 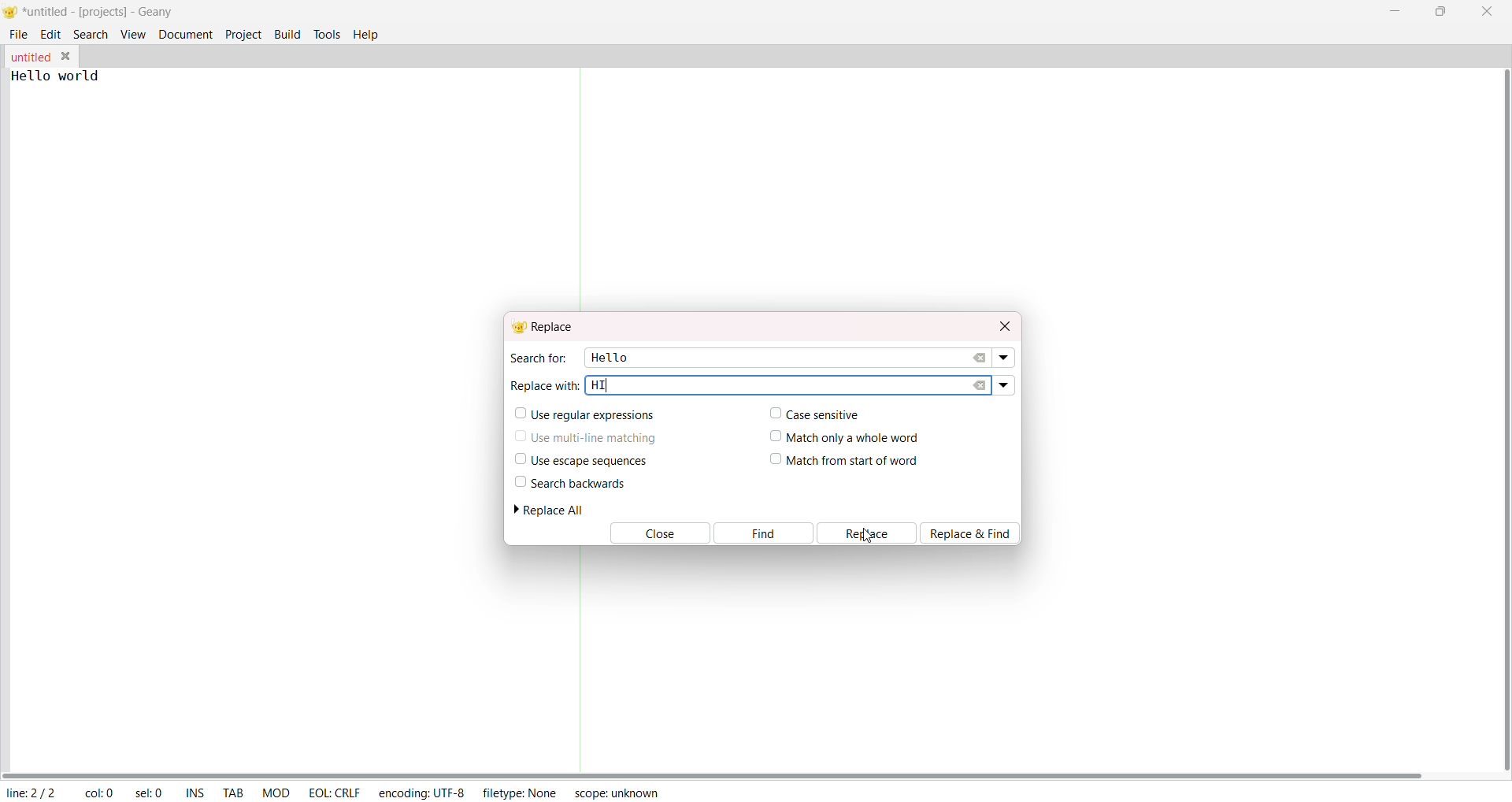 What do you see at coordinates (421, 792) in the screenshot?
I see `encoding: UTF-8` at bounding box center [421, 792].